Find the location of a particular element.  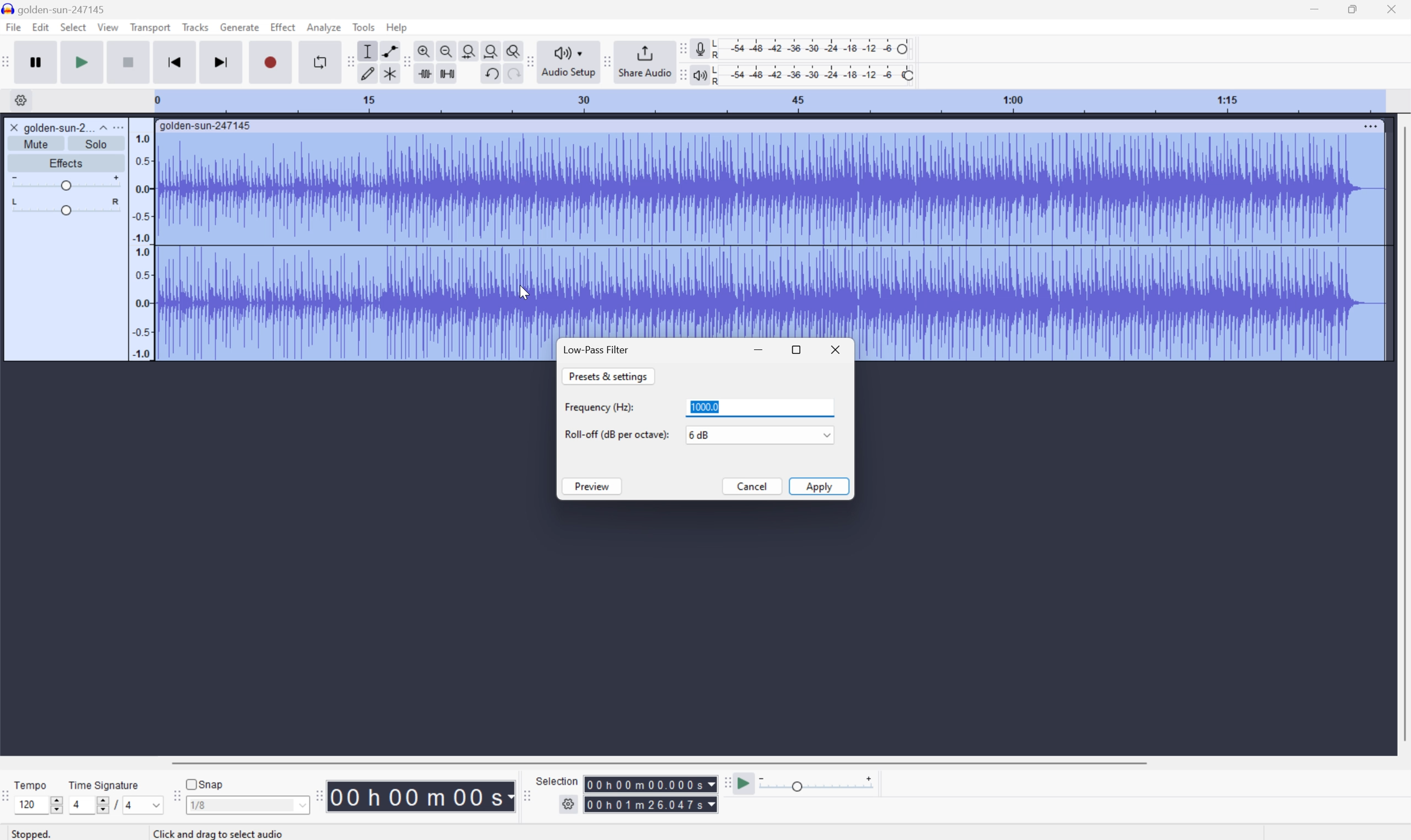

Cursor is located at coordinates (524, 292).